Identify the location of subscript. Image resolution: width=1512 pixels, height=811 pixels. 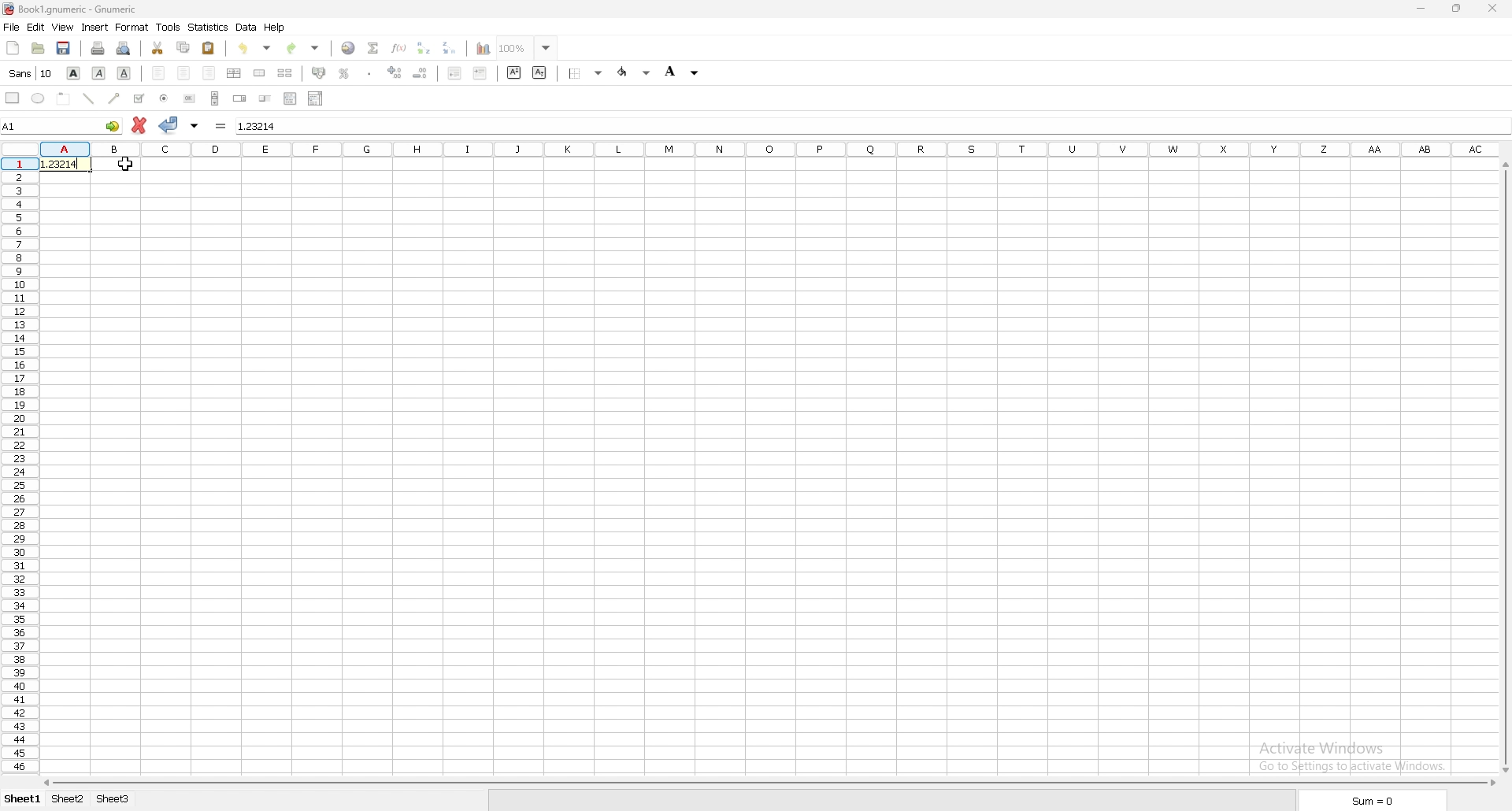
(539, 72).